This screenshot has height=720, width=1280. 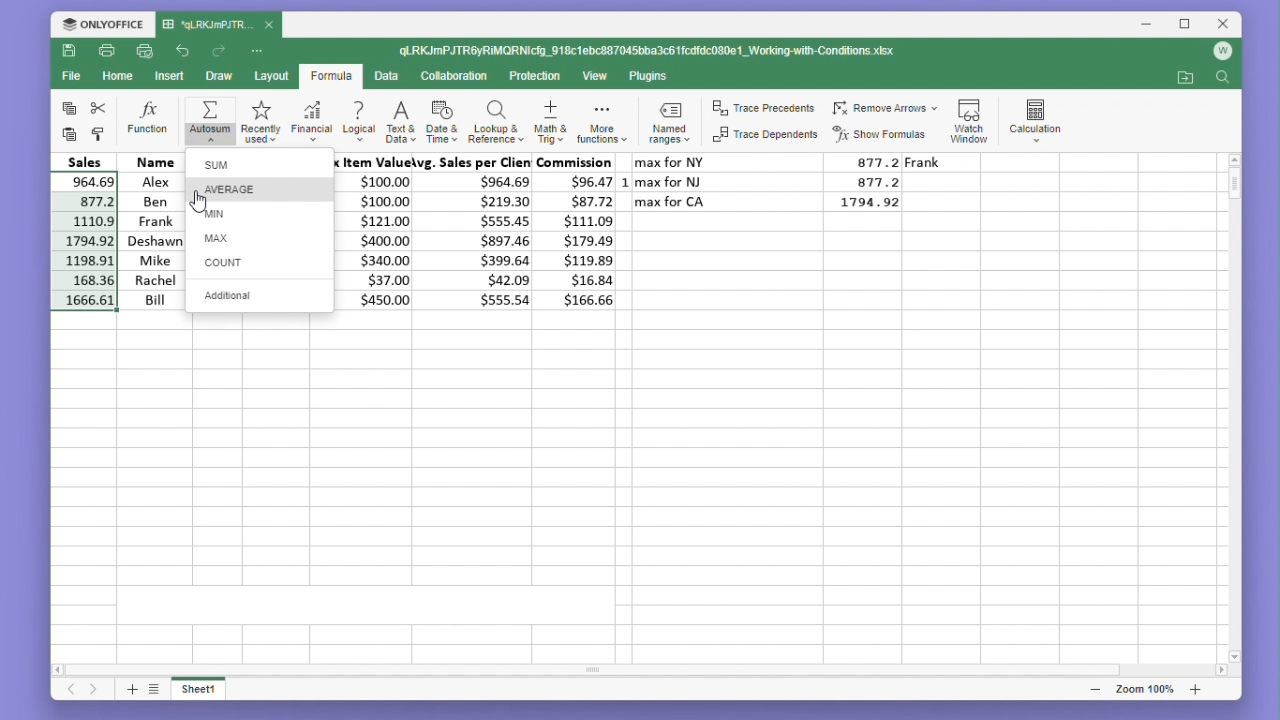 What do you see at coordinates (651, 49) in the screenshot?
I see `qLRKJmPJTR6yRIMQRNIcfg_918c1ebc887045bba3c61fcdfdc080c1_Working-with-Conditions.xlsx` at bounding box center [651, 49].